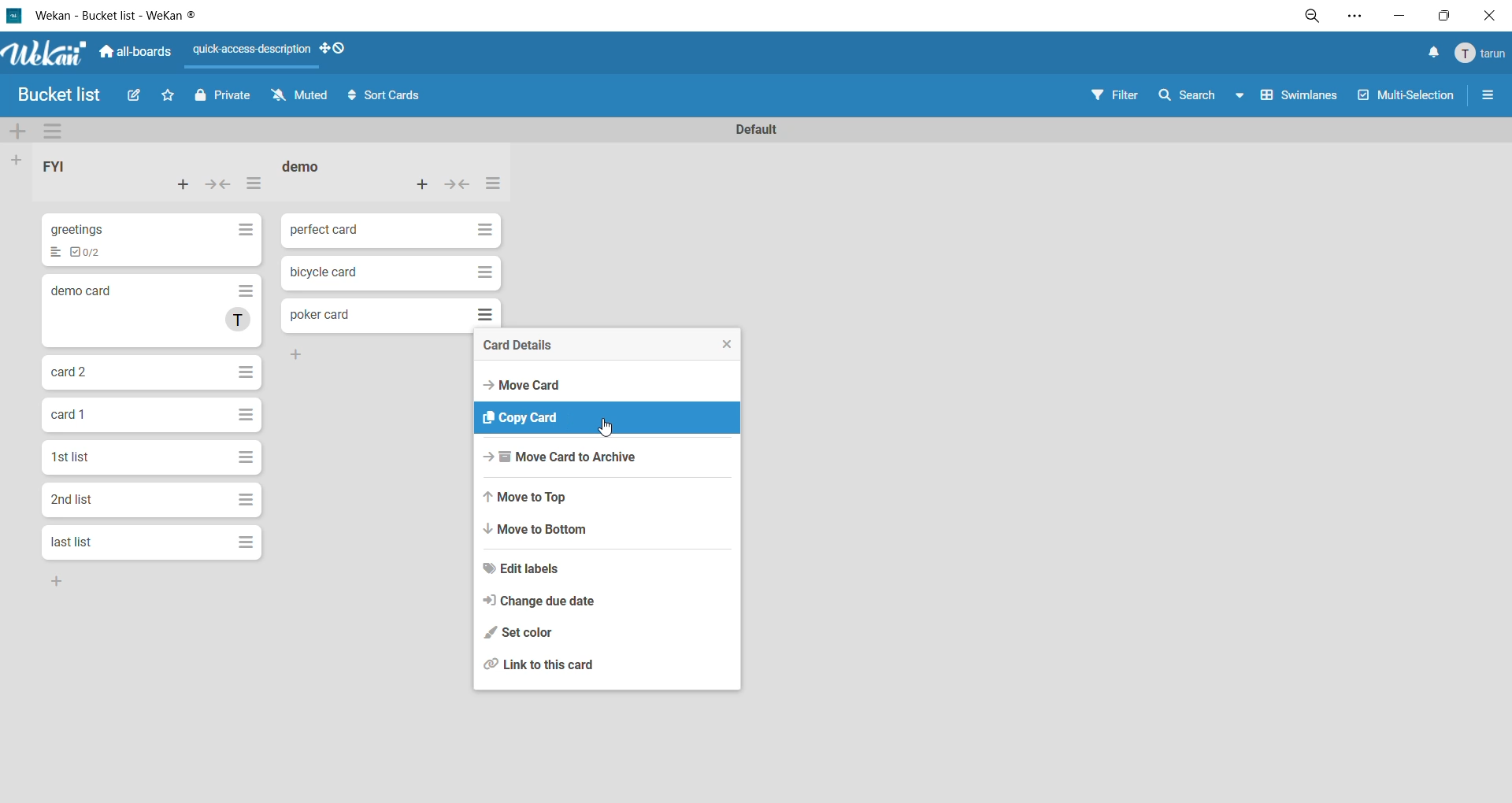 The image size is (1512, 803). What do you see at coordinates (249, 501) in the screenshot?
I see `Hamburger` at bounding box center [249, 501].